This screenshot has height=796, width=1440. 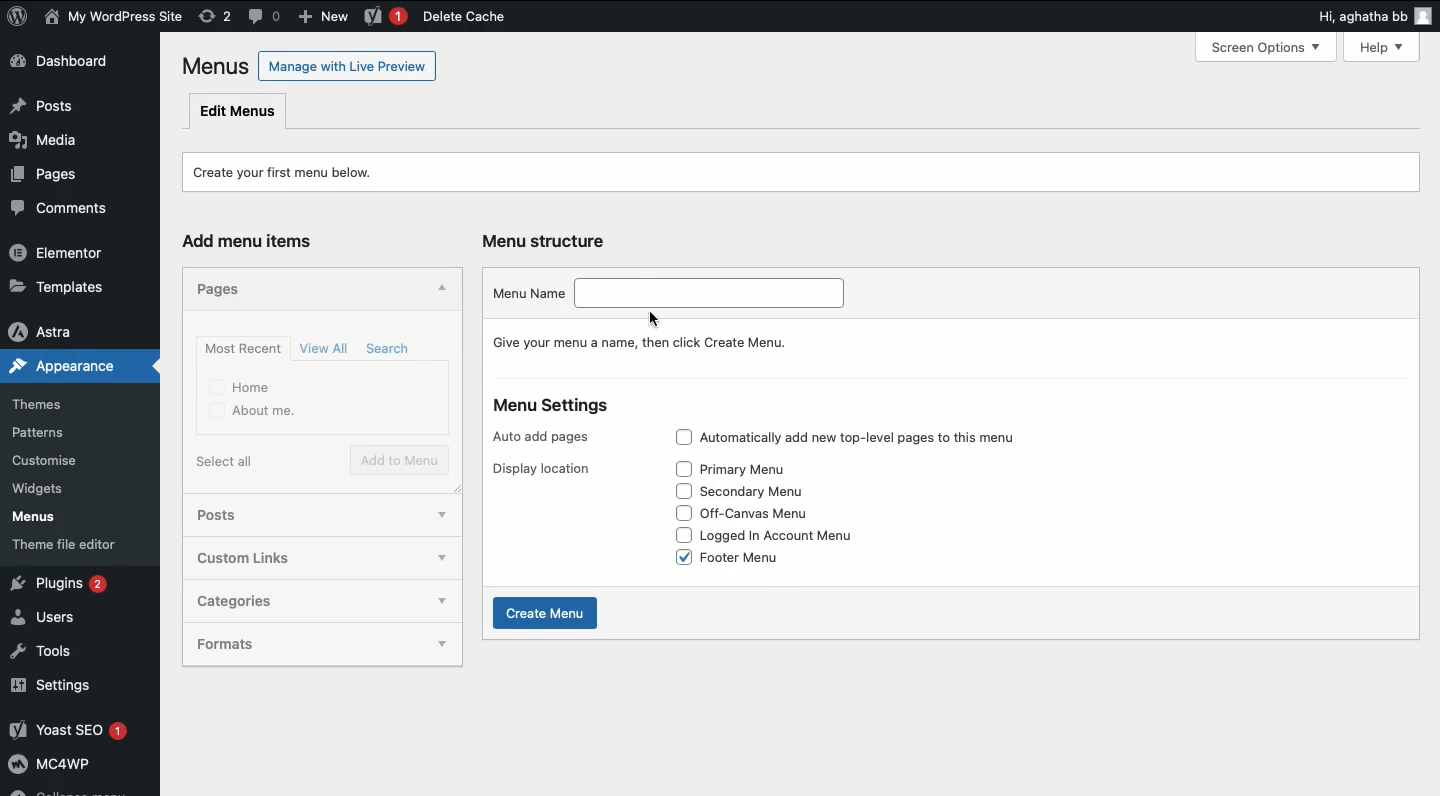 What do you see at coordinates (81, 548) in the screenshot?
I see `Theme file editor` at bounding box center [81, 548].